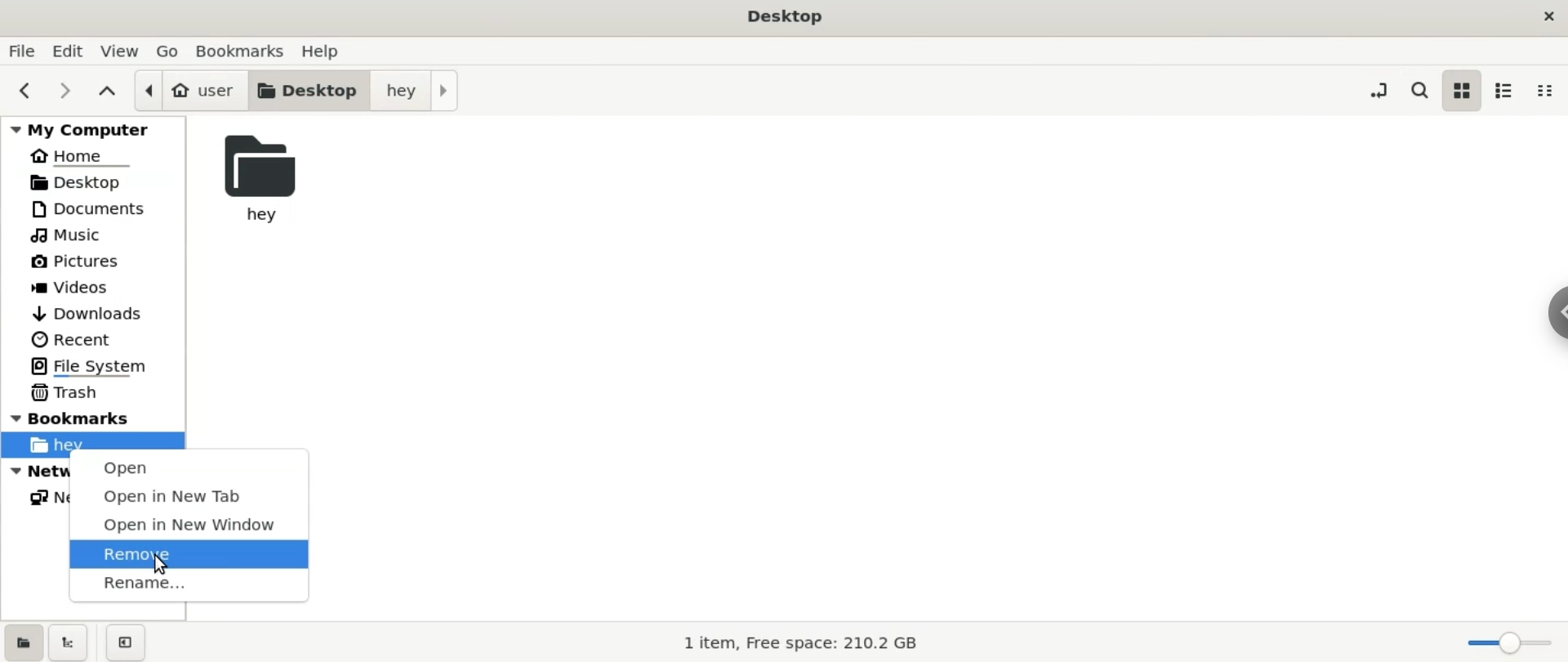 Image resolution: width=1568 pixels, height=662 pixels. Describe the element at coordinates (189, 530) in the screenshot. I see `open in new window` at that location.